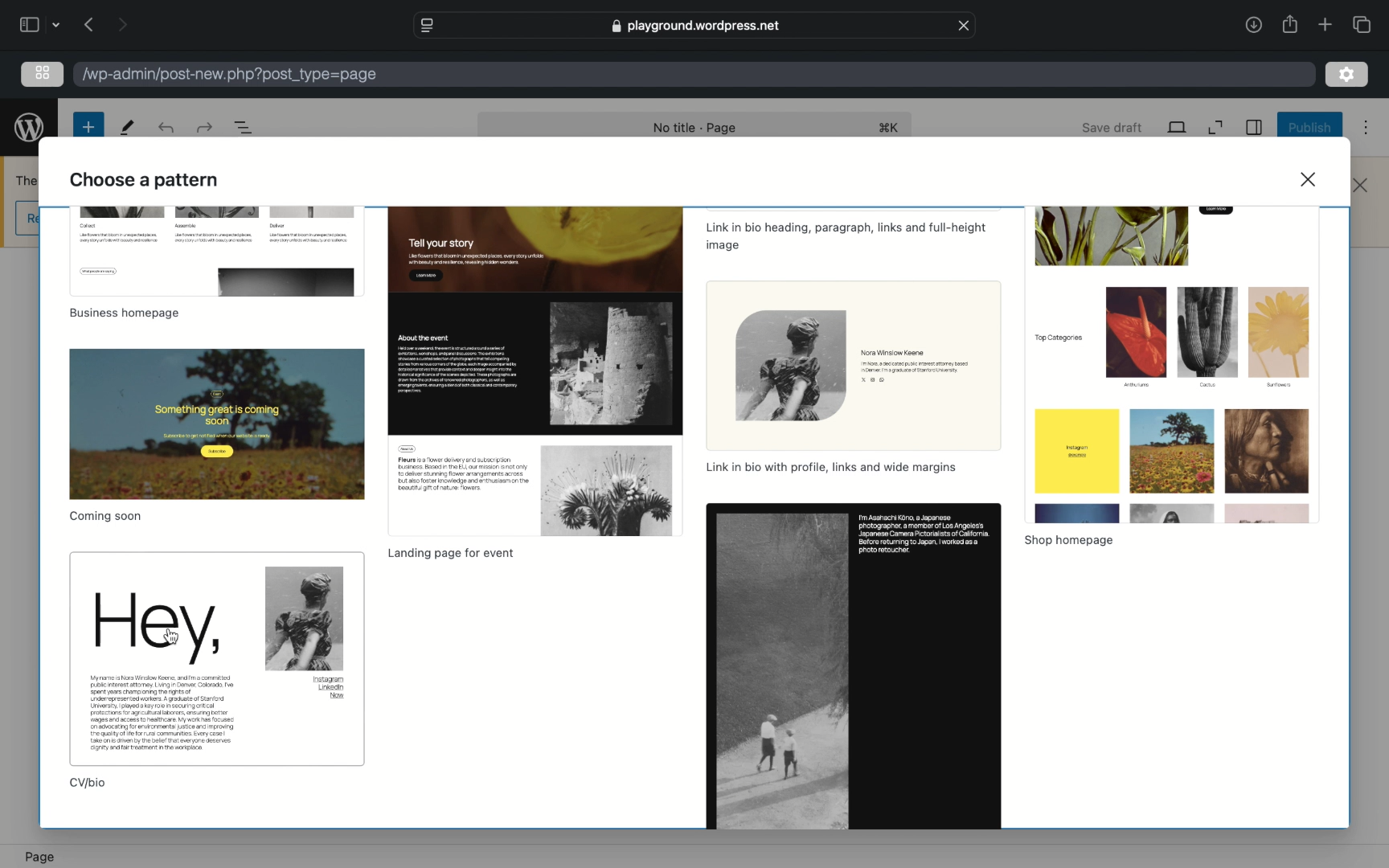  Describe the element at coordinates (89, 26) in the screenshot. I see `previous page` at that location.